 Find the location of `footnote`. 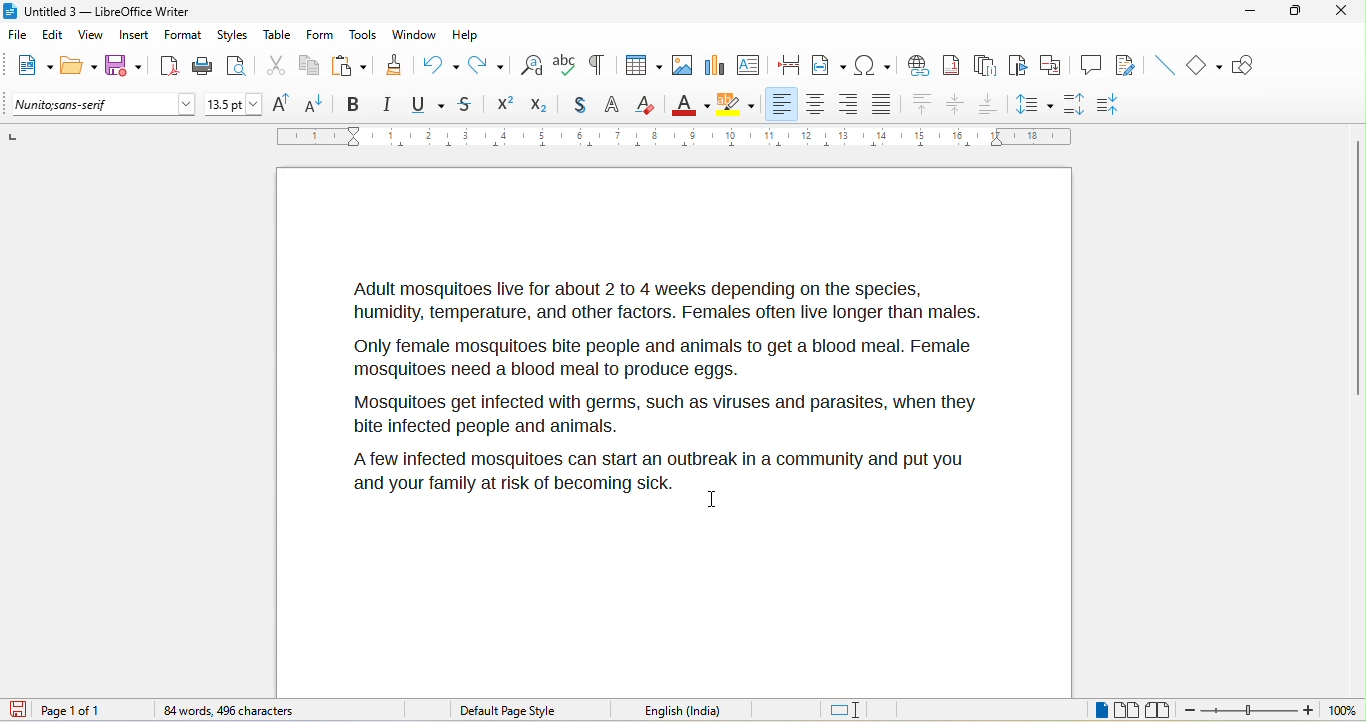

footnote is located at coordinates (951, 64).